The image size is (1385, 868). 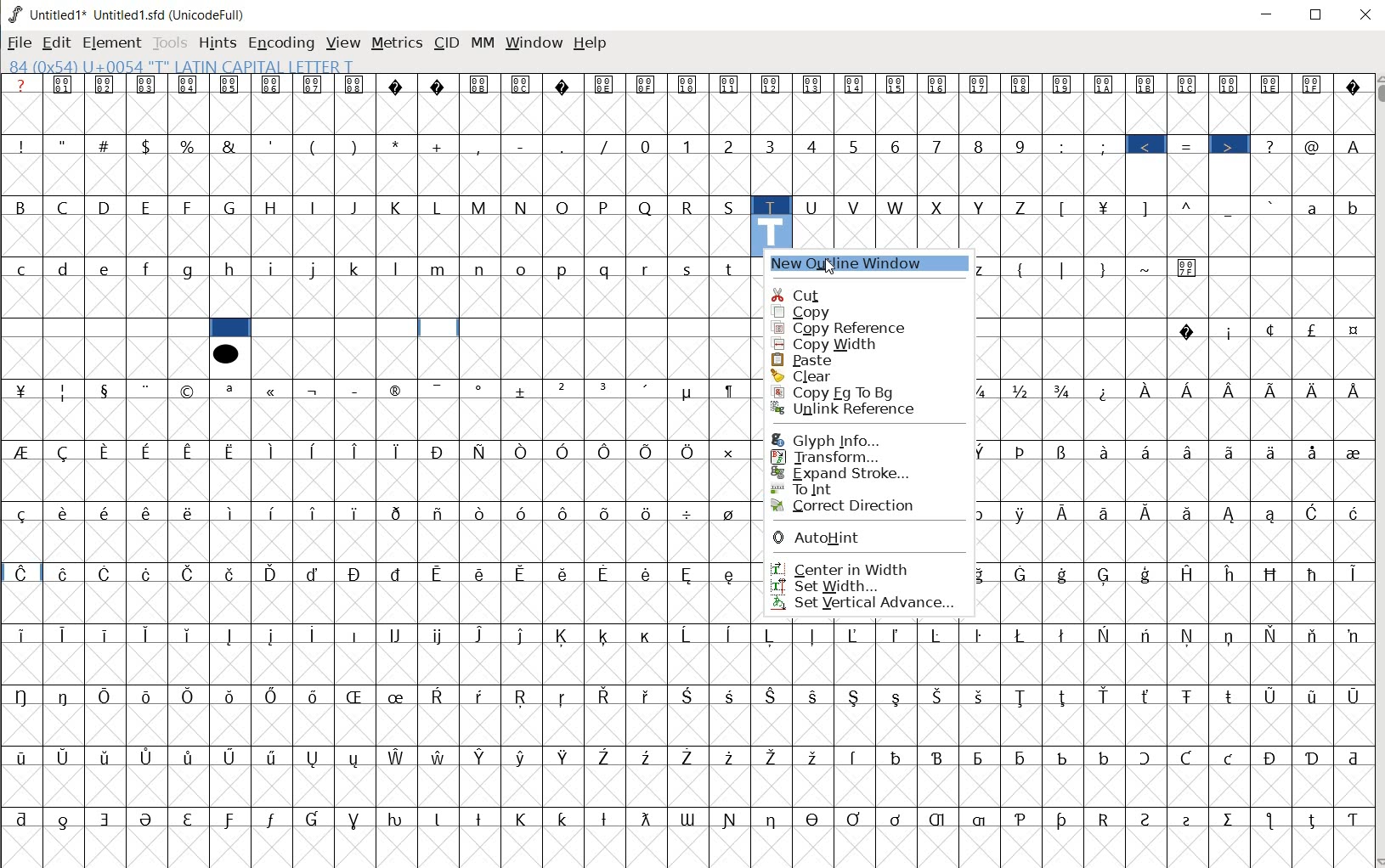 What do you see at coordinates (563, 512) in the screenshot?
I see `Symbol` at bounding box center [563, 512].